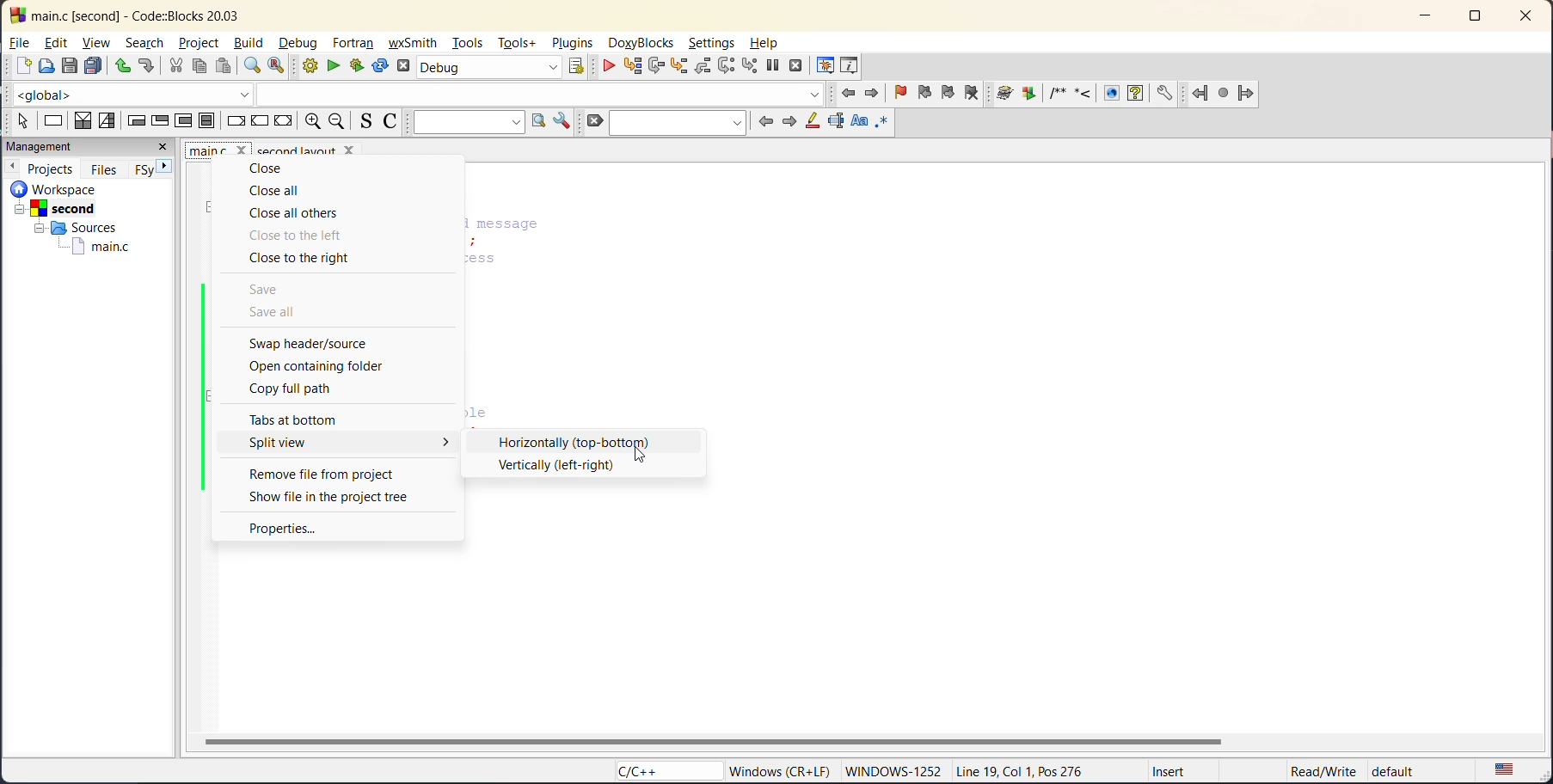 The image size is (1553, 784). Describe the element at coordinates (51, 167) in the screenshot. I see `projects` at that location.